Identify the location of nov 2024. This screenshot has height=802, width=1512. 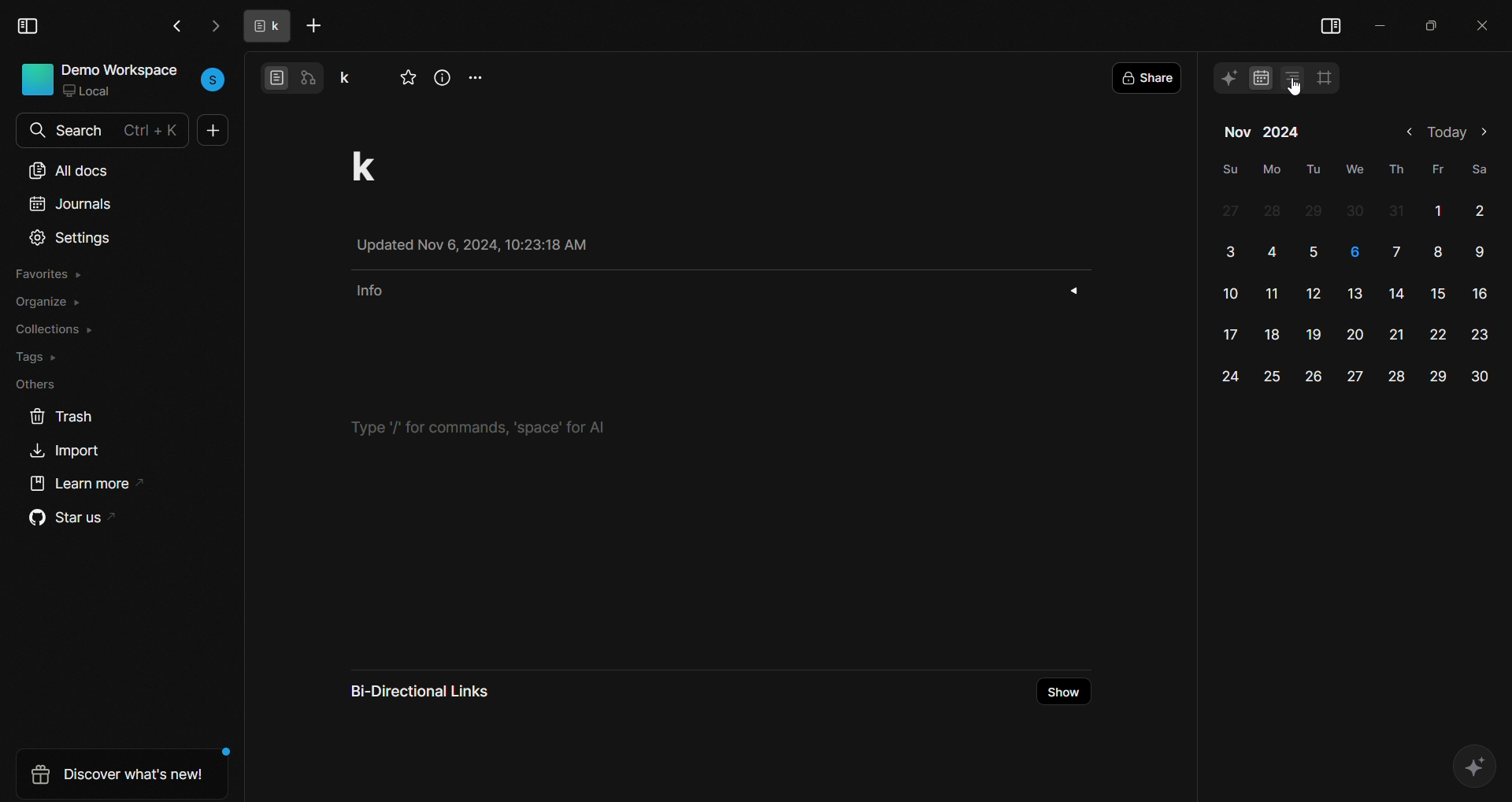
(1263, 134).